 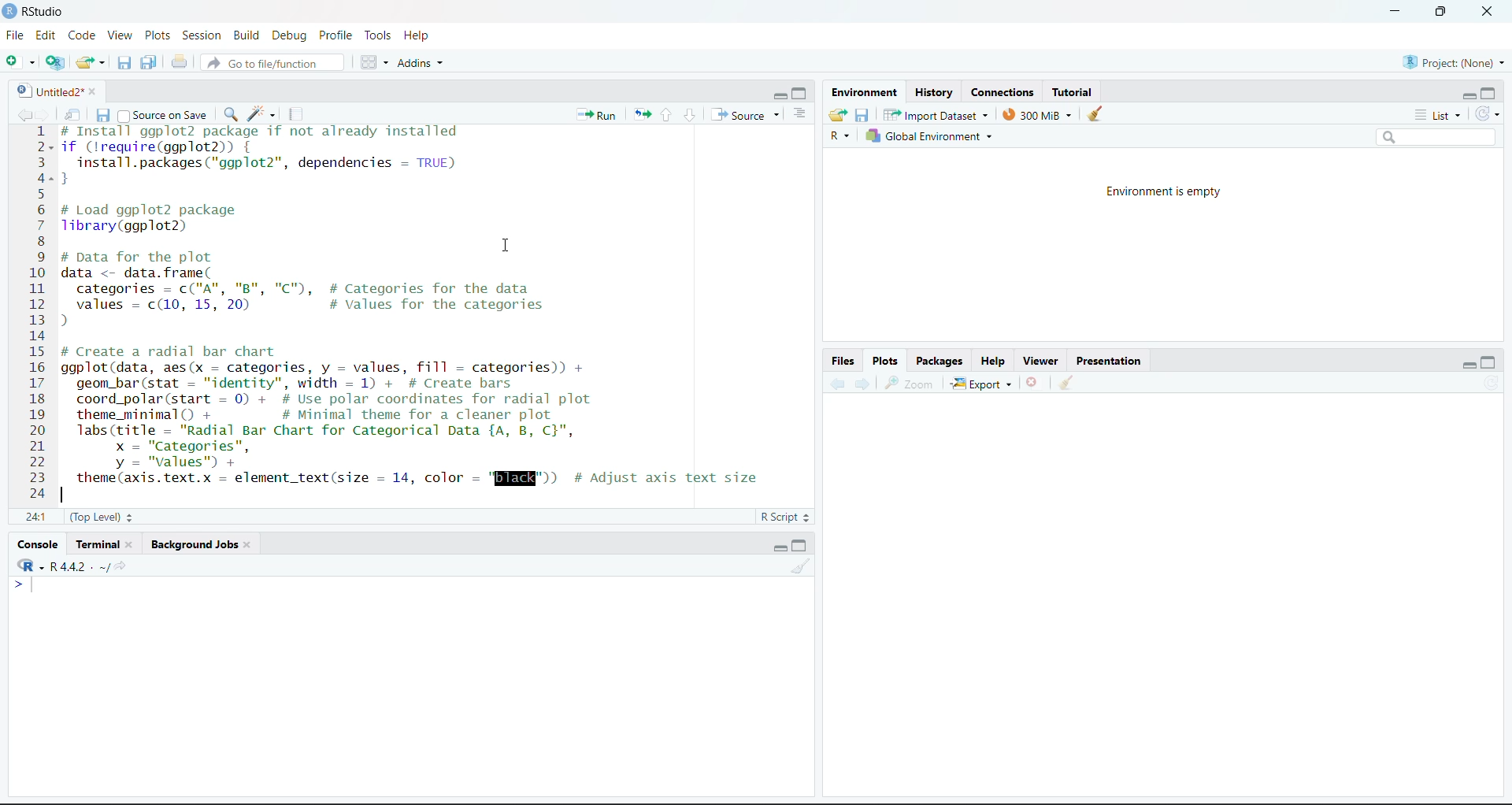 What do you see at coordinates (67, 496) in the screenshot?
I see `typing cursor` at bounding box center [67, 496].